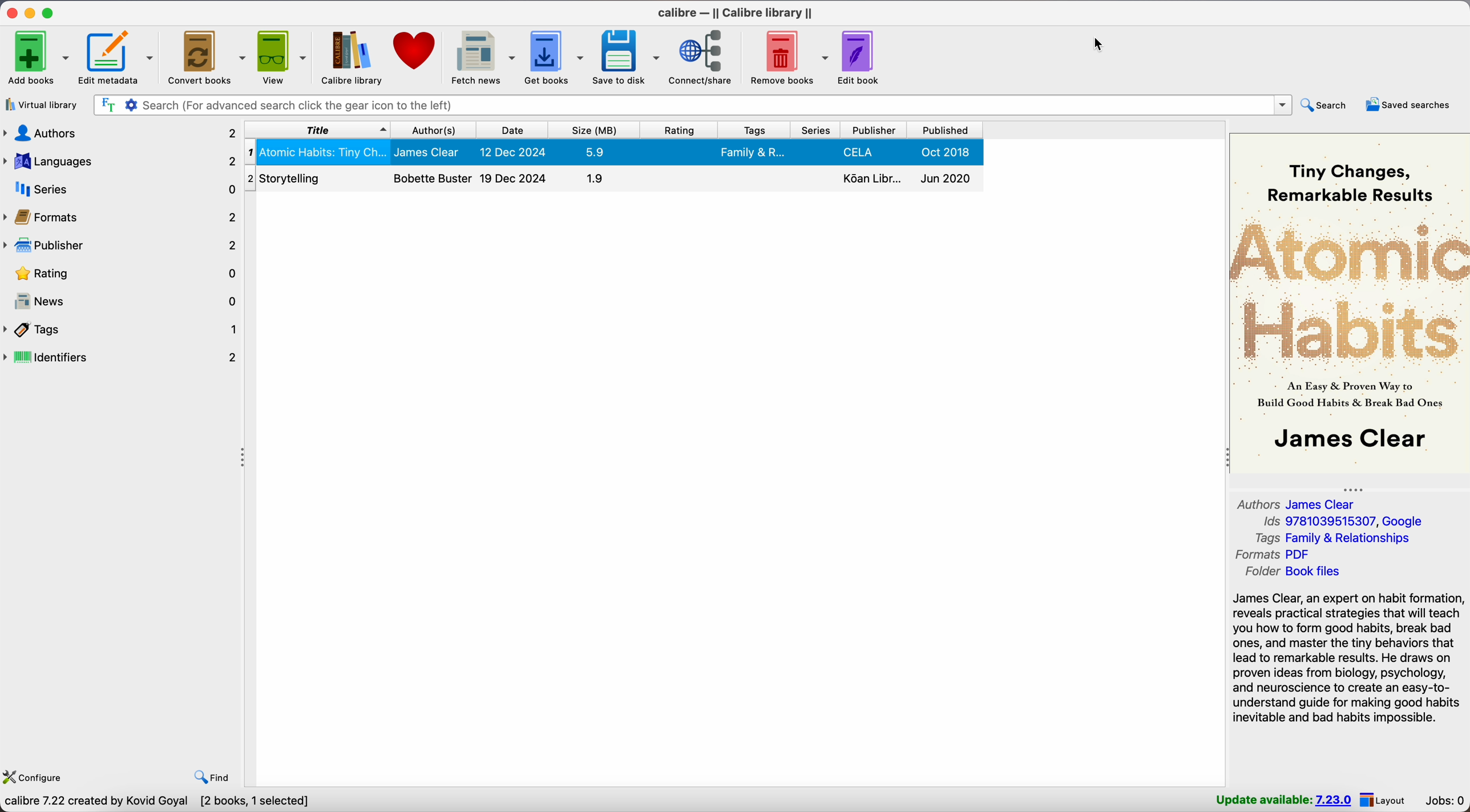  What do you see at coordinates (693, 106) in the screenshot?
I see `search bar` at bounding box center [693, 106].